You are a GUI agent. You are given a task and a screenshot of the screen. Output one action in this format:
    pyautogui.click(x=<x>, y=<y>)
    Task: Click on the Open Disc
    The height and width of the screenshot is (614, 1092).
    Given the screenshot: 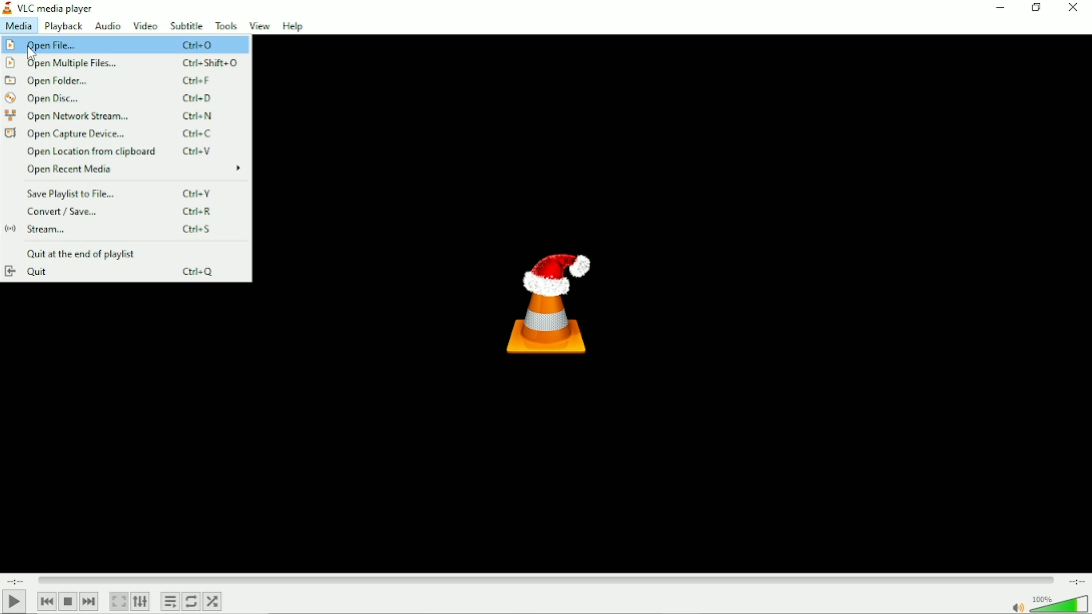 What is the action you would take?
    pyautogui.click(x=123, y=98)
    